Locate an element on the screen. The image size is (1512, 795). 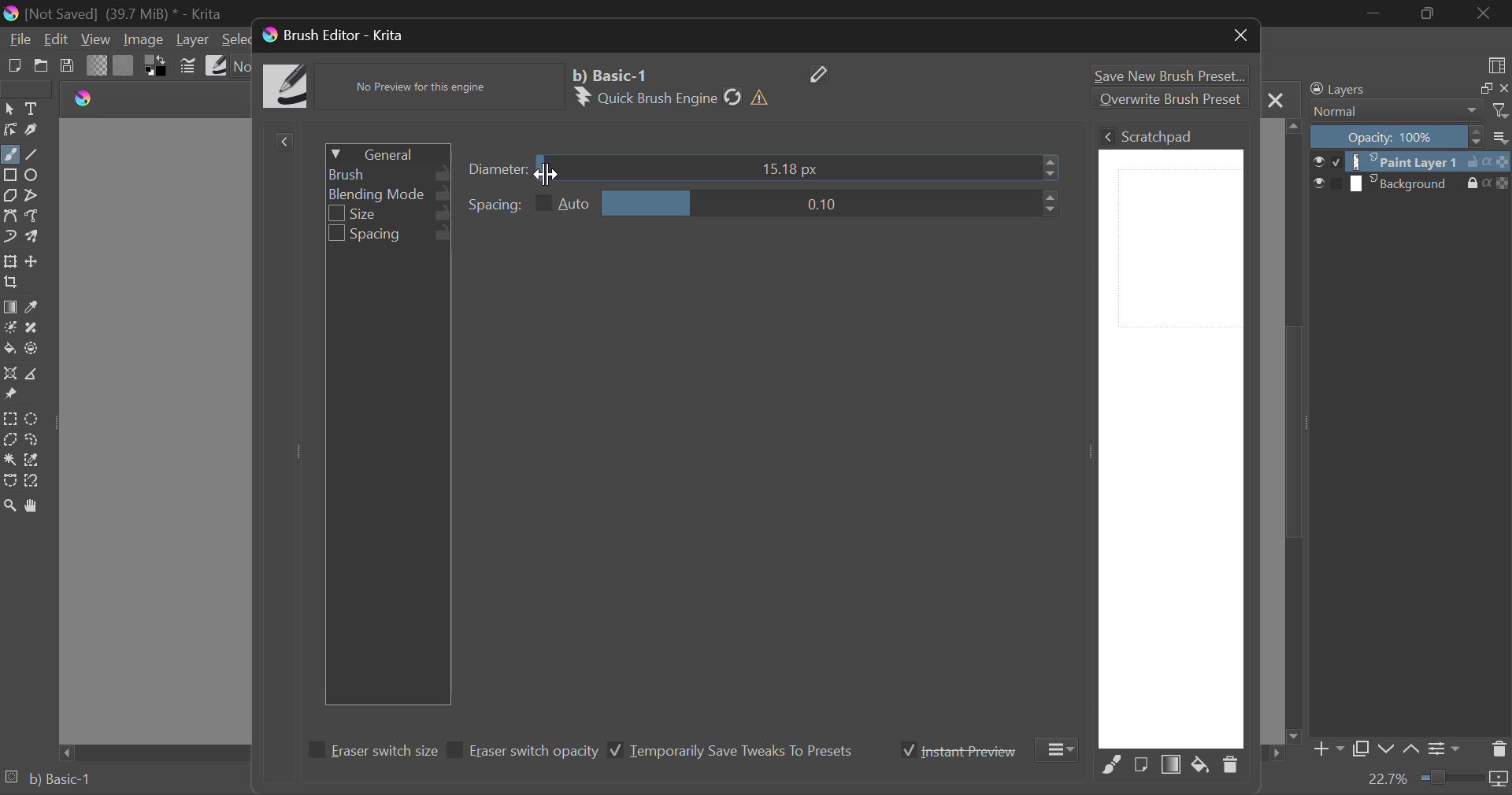
Paint Layer is located at coordinates (1412, 161).